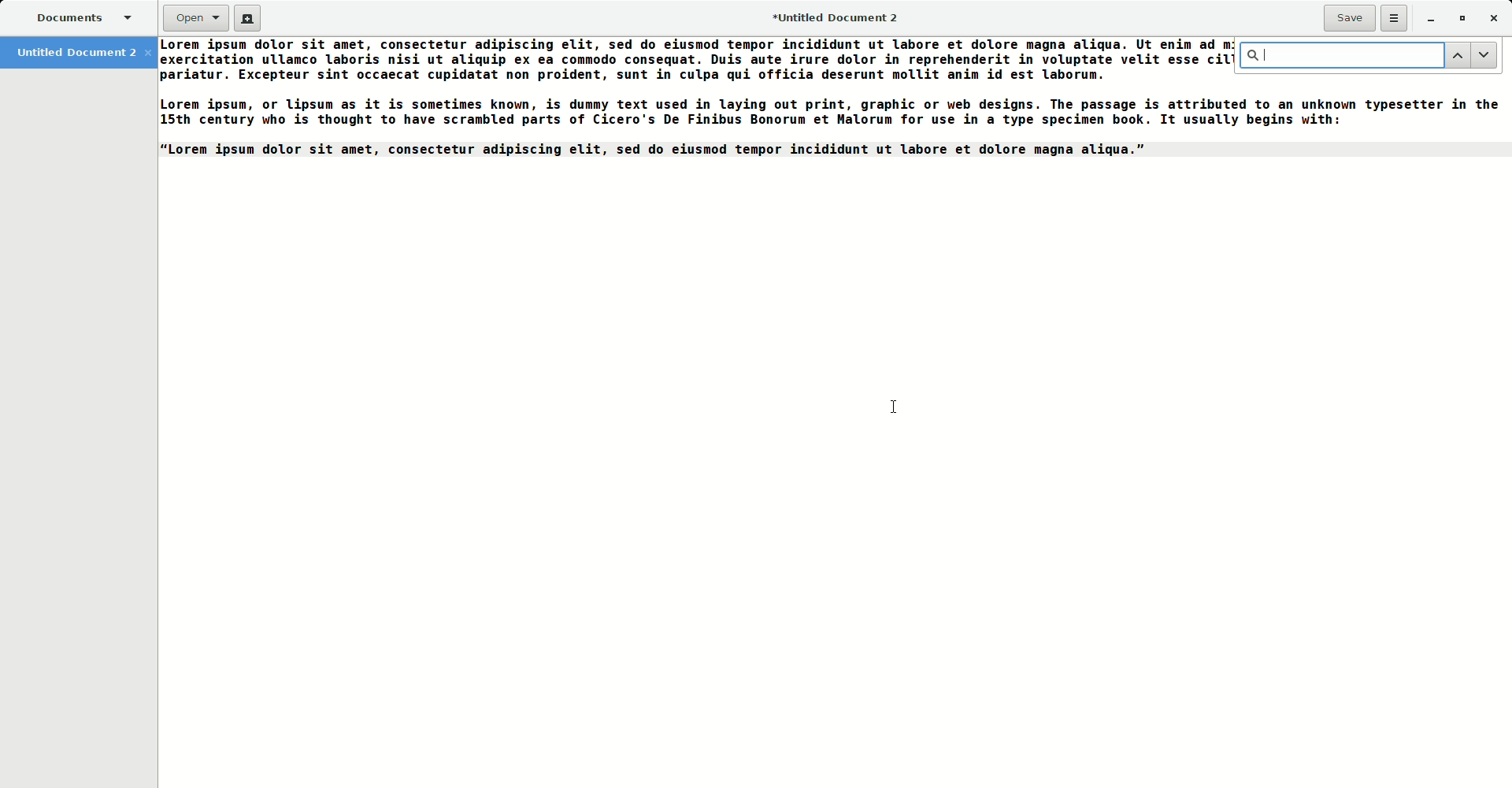  What do you see at coordinates (888, 406) in the screenshot?
I see `Cursor` at bounding box center [888, 406].